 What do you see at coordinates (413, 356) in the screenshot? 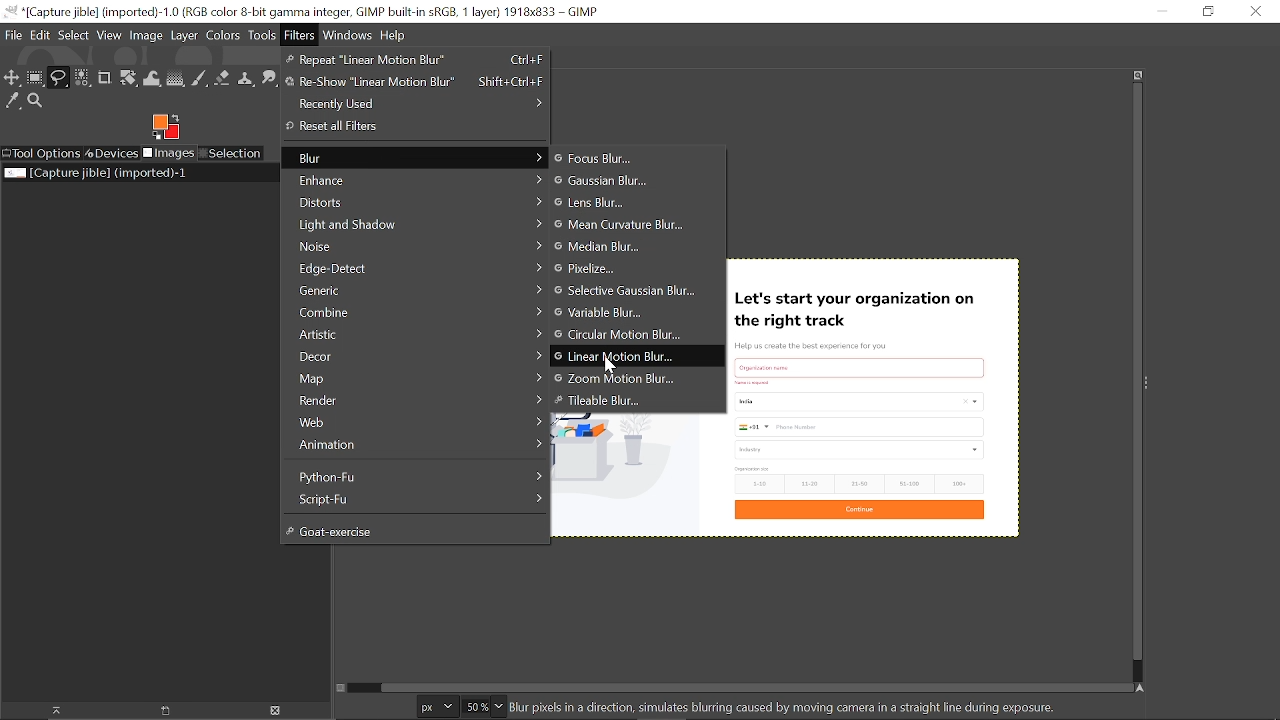
I see `Decor` at bounding box center [413, 356].